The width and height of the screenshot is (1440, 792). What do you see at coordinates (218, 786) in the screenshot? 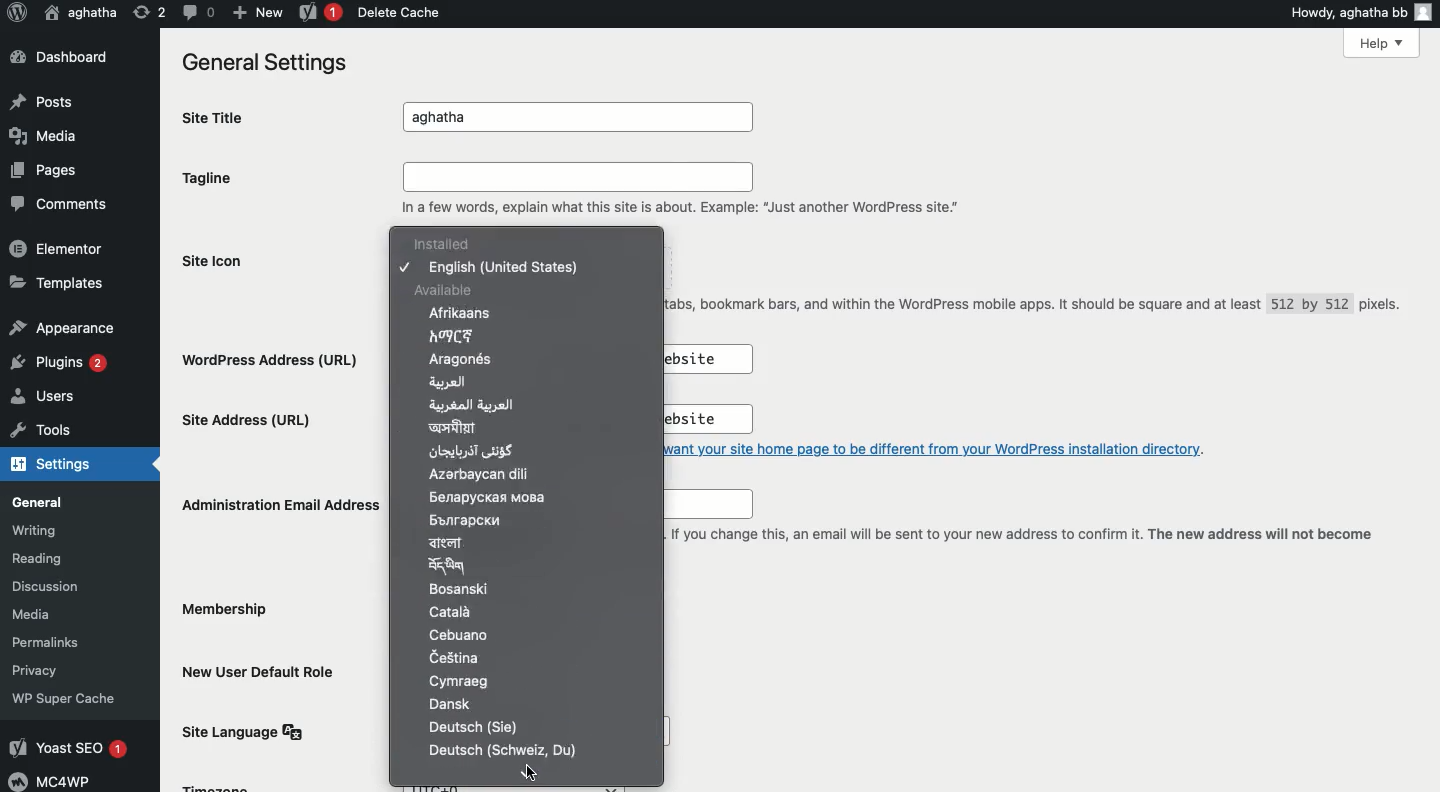
I see `Timezone` at bounding box center [218, 786].